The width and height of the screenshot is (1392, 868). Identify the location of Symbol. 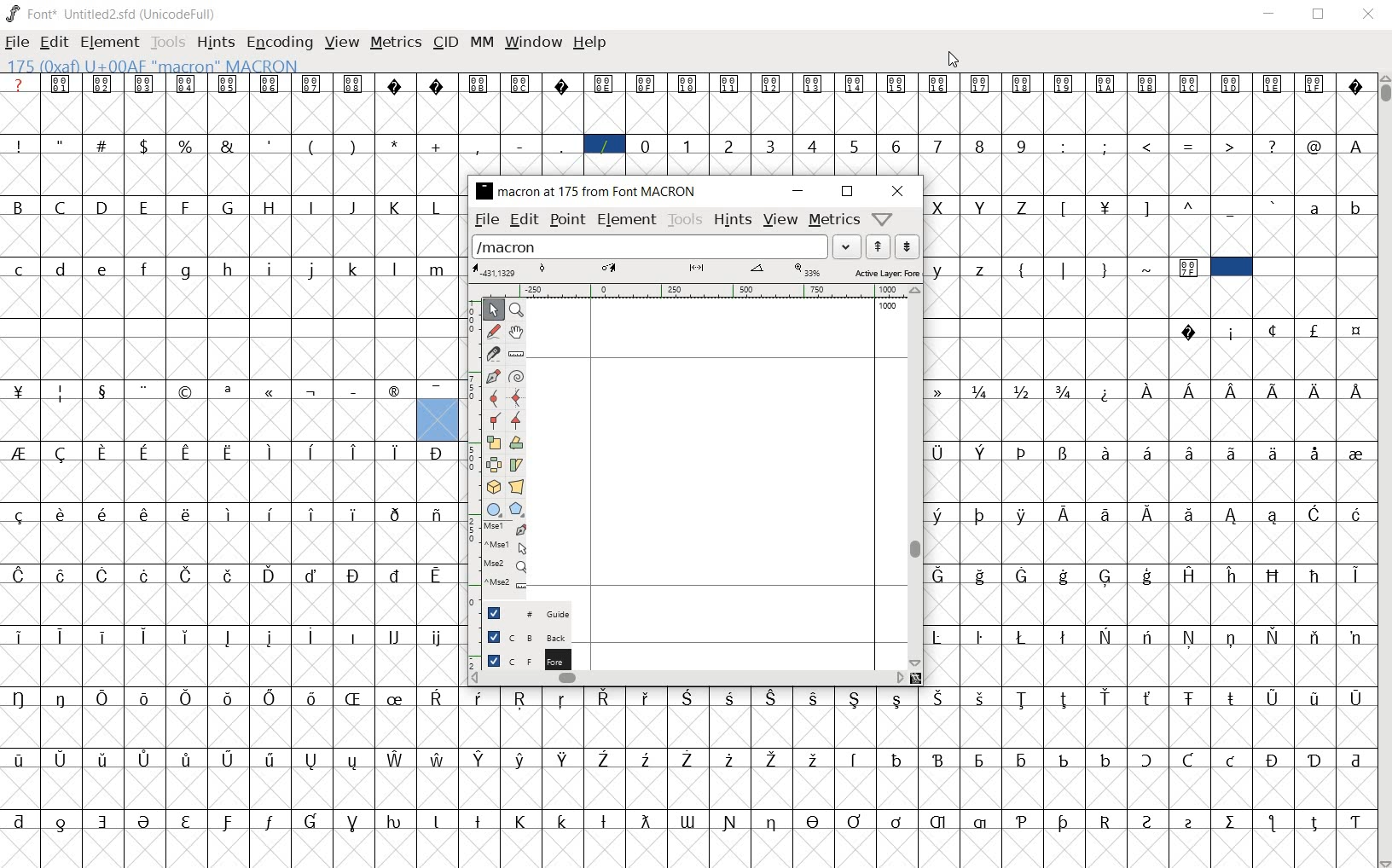
(815, 758).